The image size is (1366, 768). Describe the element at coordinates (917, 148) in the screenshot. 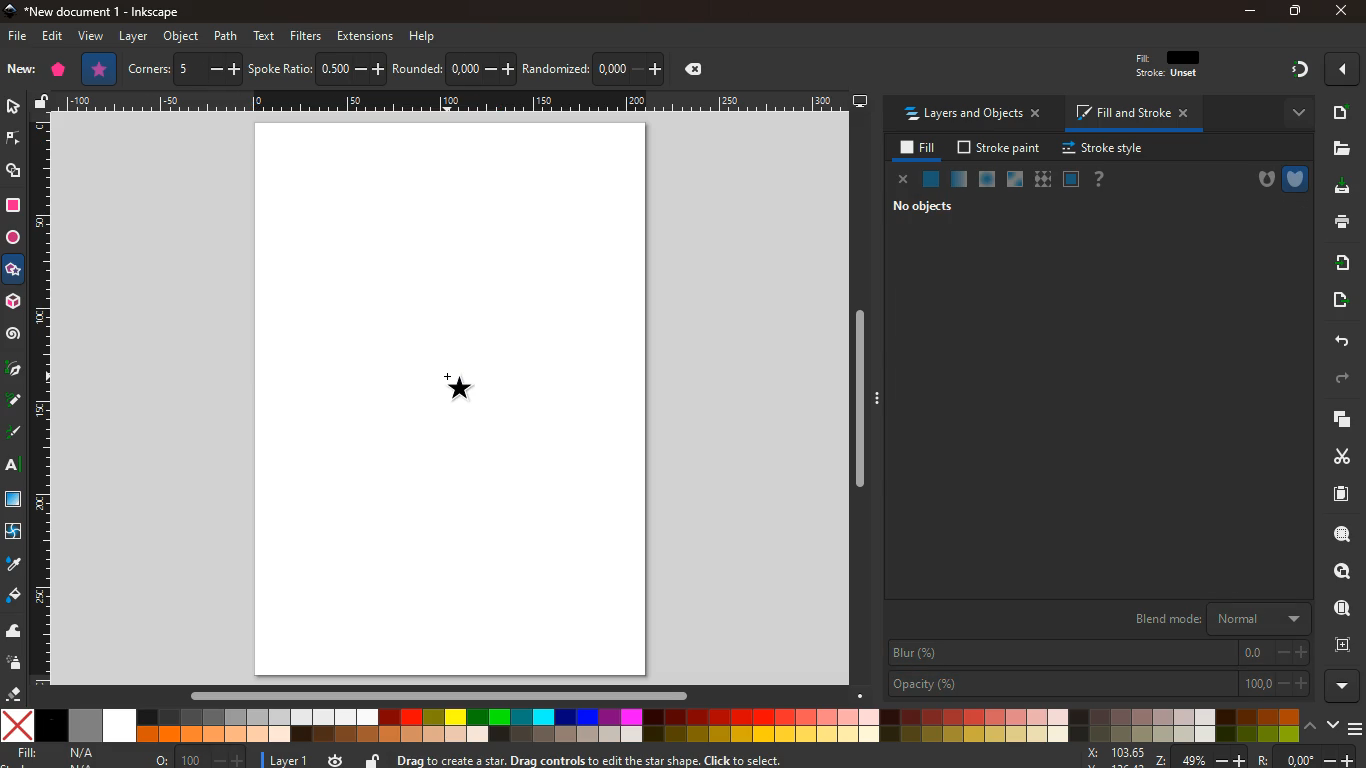

I see `fill` at that location.